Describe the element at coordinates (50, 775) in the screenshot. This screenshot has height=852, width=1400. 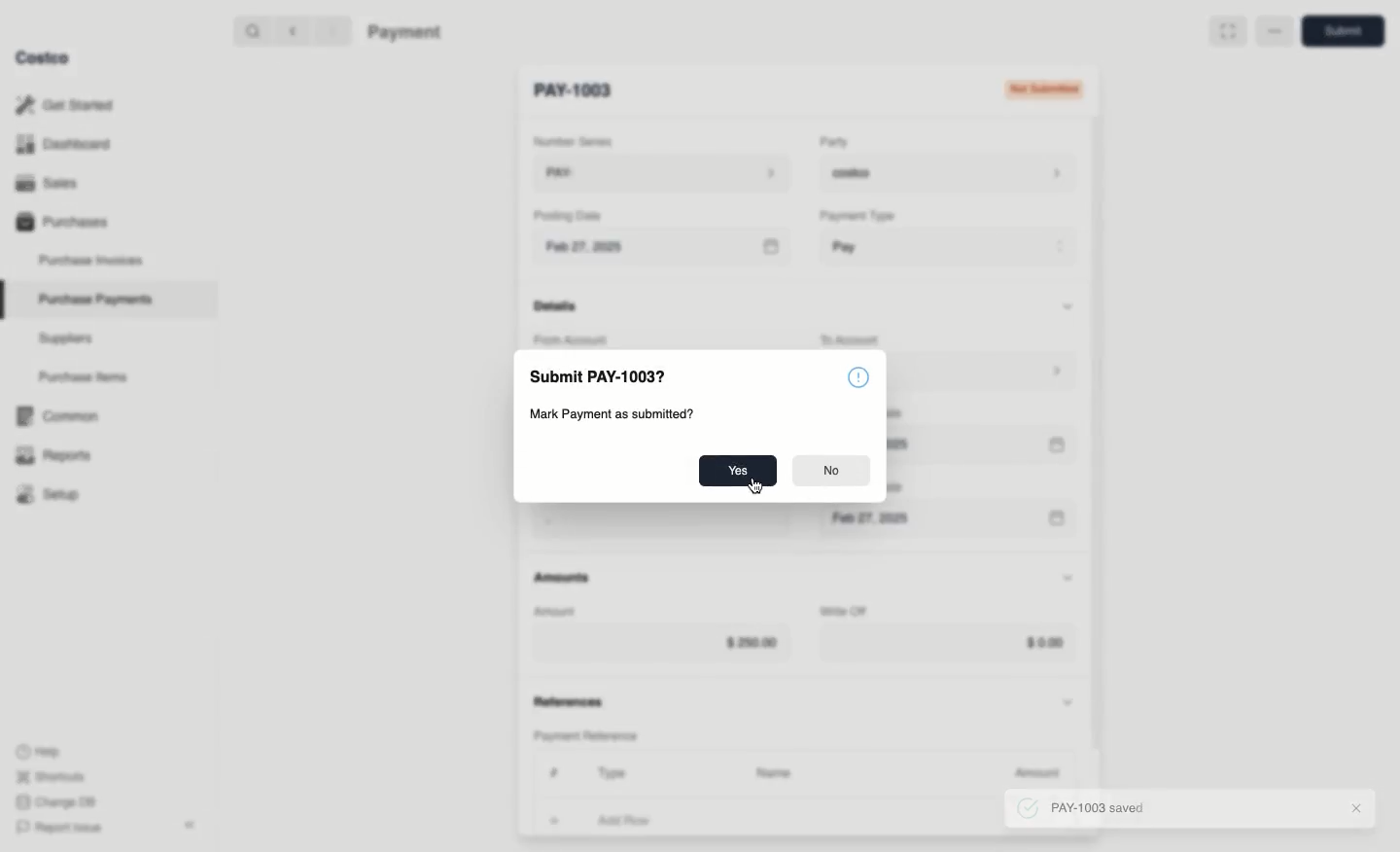
I see `Shortcuts` at that location.